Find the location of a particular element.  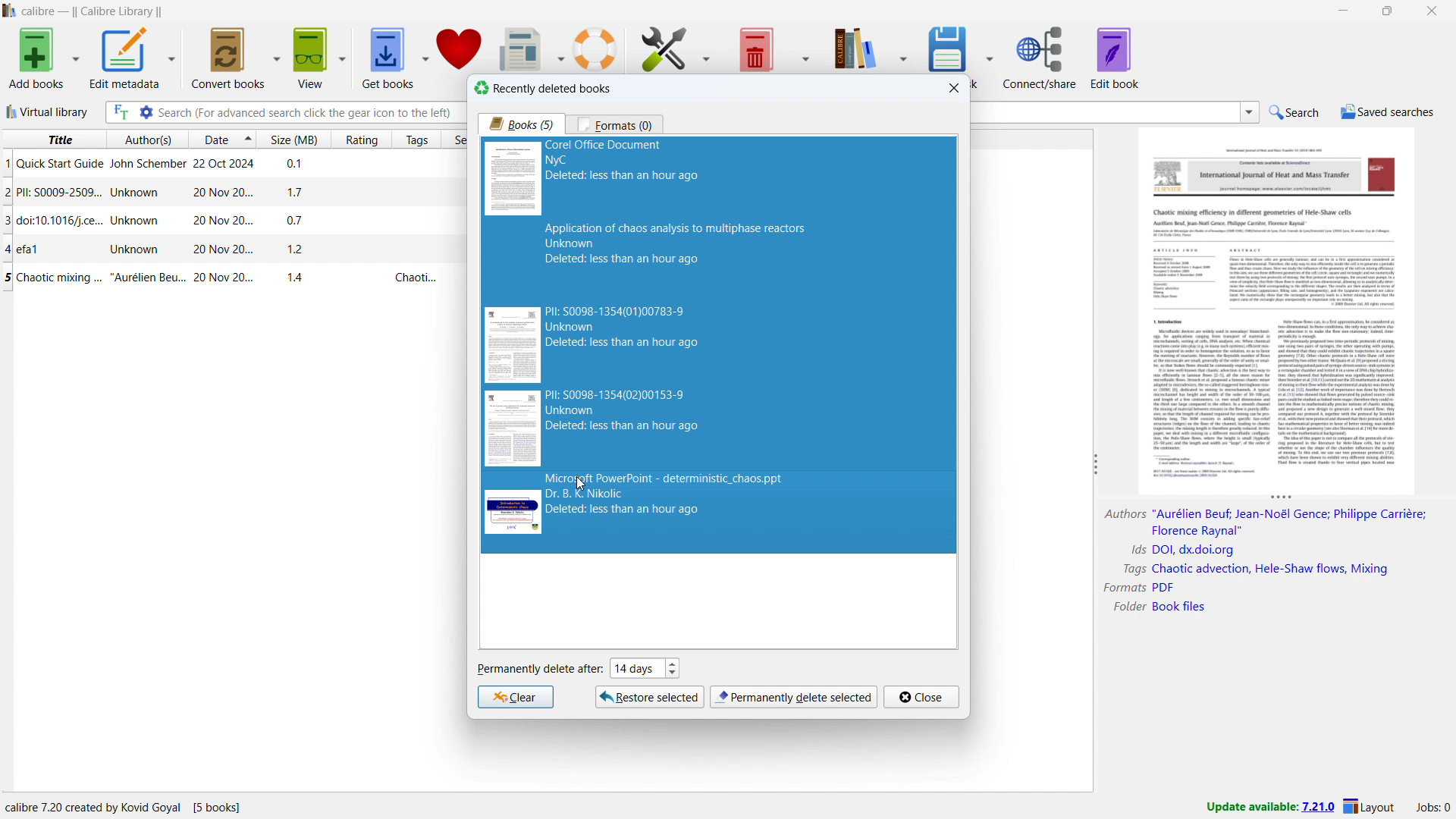

restore selcted is located at coordinates (651, 697).